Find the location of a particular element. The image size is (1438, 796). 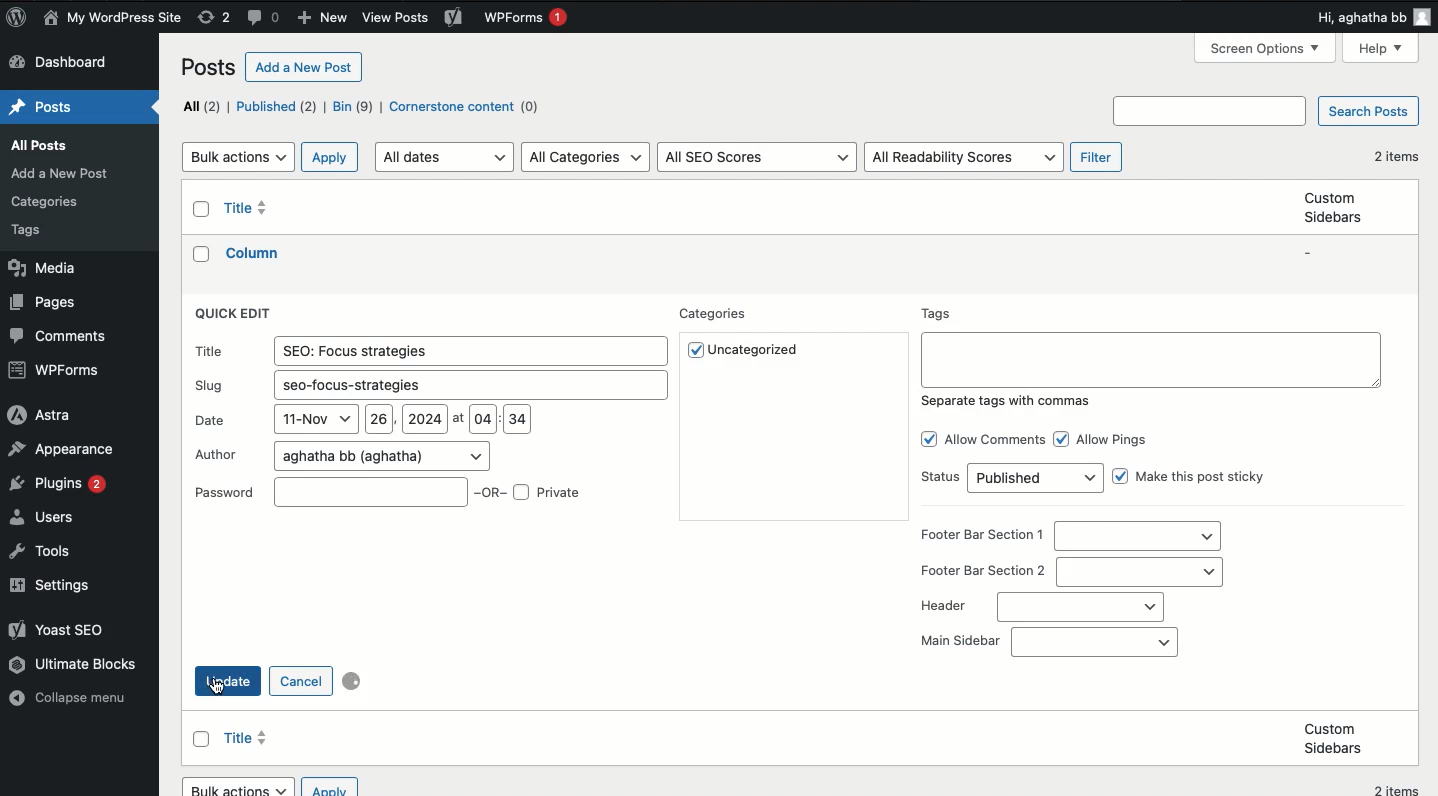

Filter is located at coordinates (1099, 158).